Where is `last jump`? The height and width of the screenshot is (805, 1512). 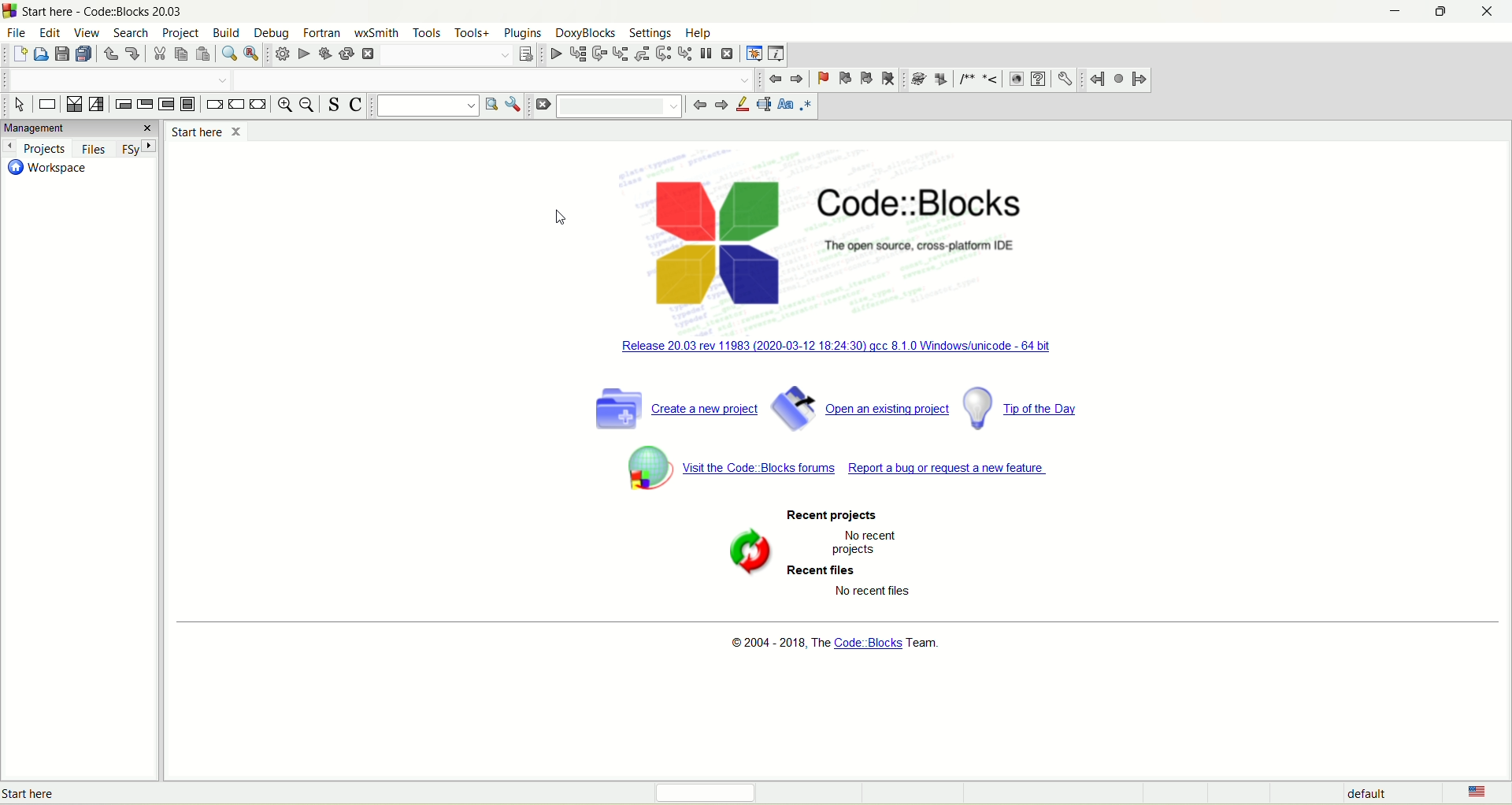 last jump is located at coordinates (1117, 79).